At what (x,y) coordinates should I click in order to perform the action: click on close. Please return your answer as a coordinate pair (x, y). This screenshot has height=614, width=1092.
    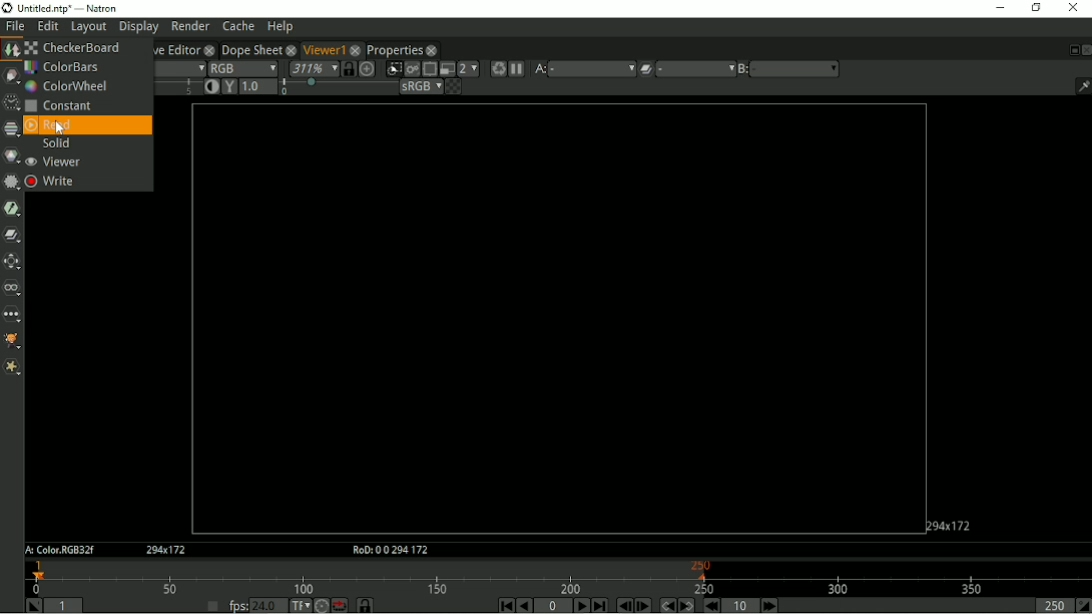
    Looking at the image, I should click on (432, 50).